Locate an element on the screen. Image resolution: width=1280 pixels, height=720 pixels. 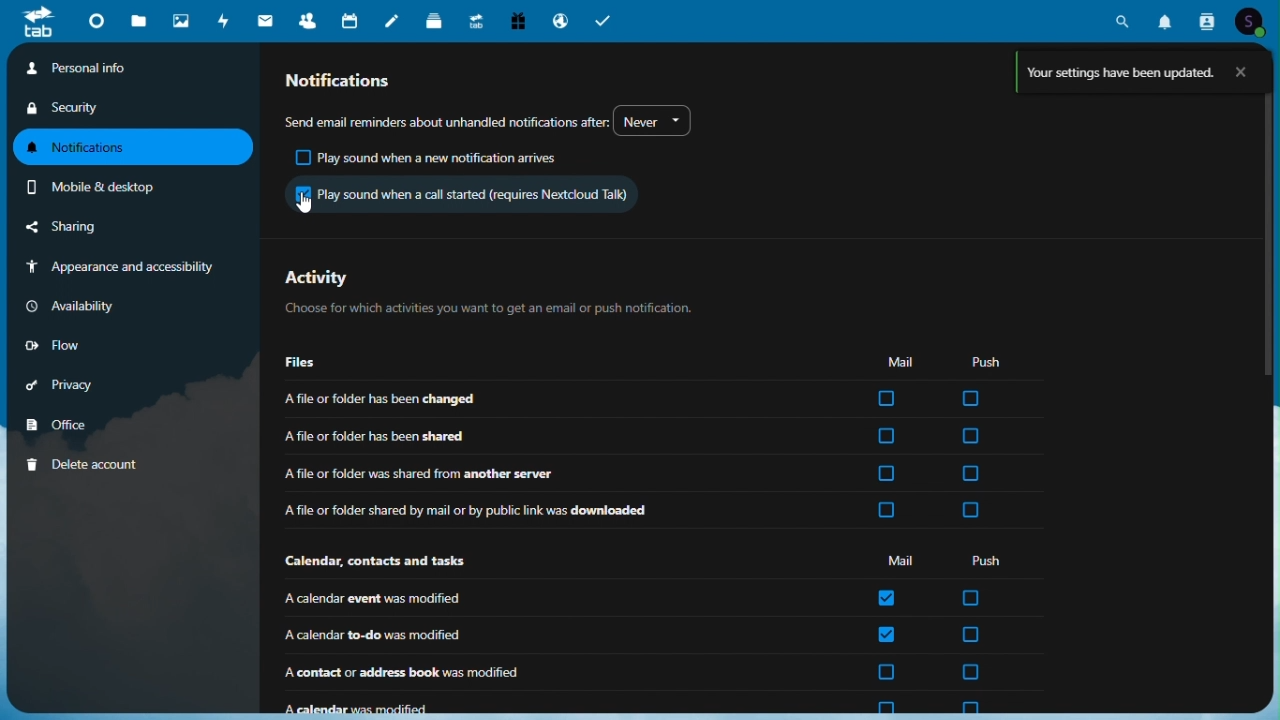
Notifications is located at coordinates (1167, 17).